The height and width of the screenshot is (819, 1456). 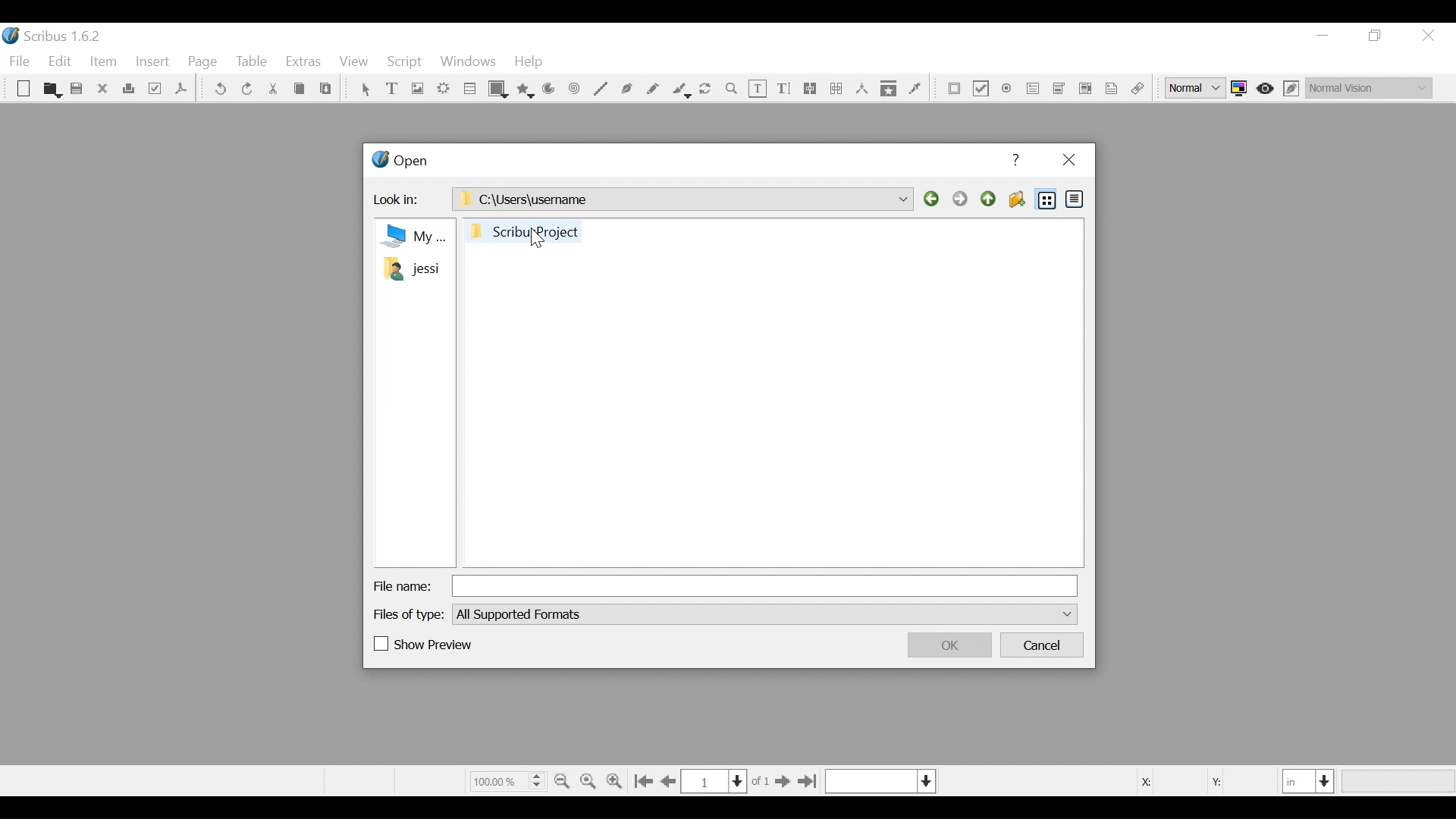 What do you see at coordinates (780, 783) in the screenshot?
I see `Go to next Page` at bounding box center [780, 783].